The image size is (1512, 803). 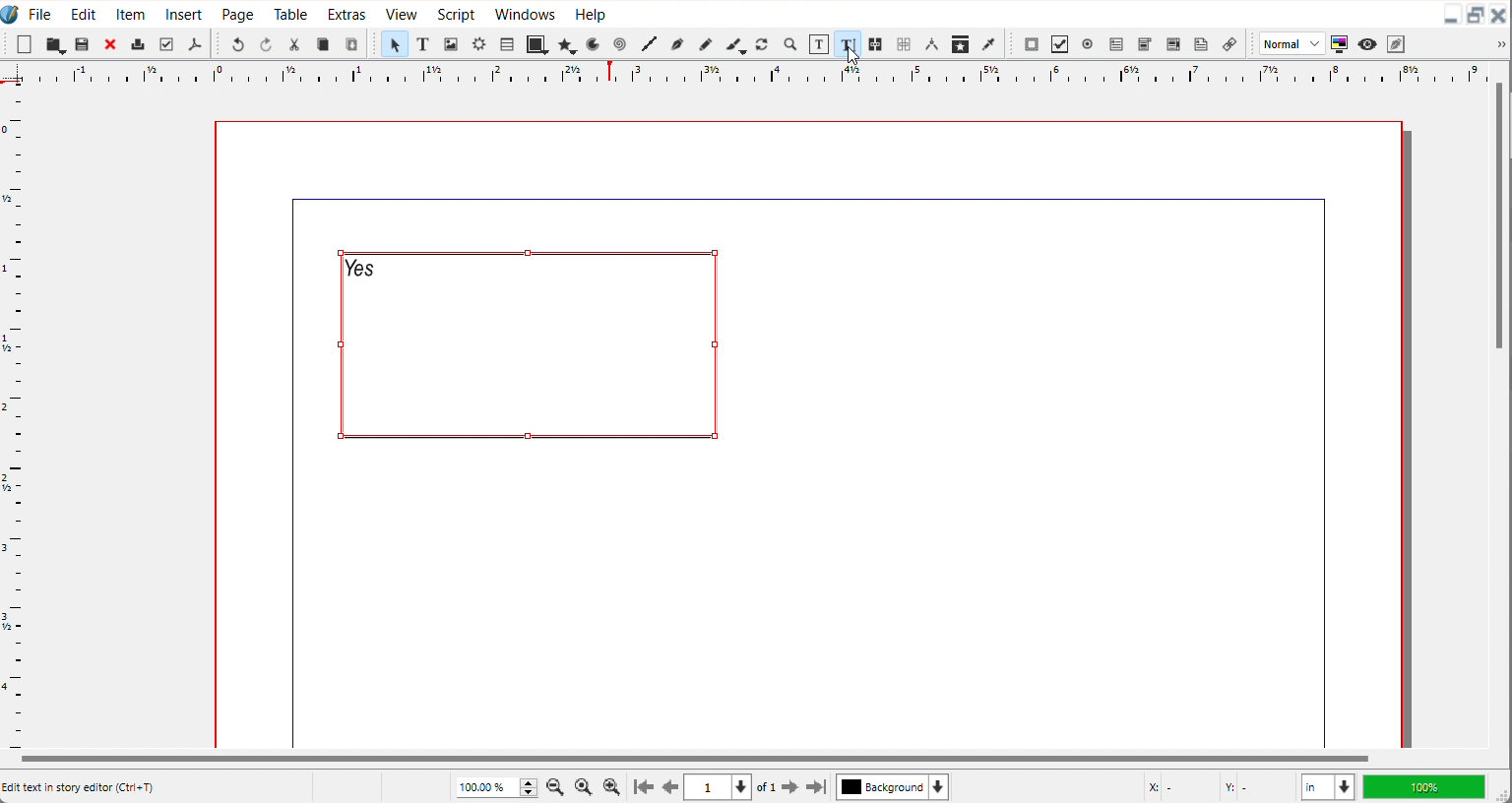 What do you see at coordinates (553, 346) in the screenshot?
I see `Text Frame` at bounding box center [553, 346].